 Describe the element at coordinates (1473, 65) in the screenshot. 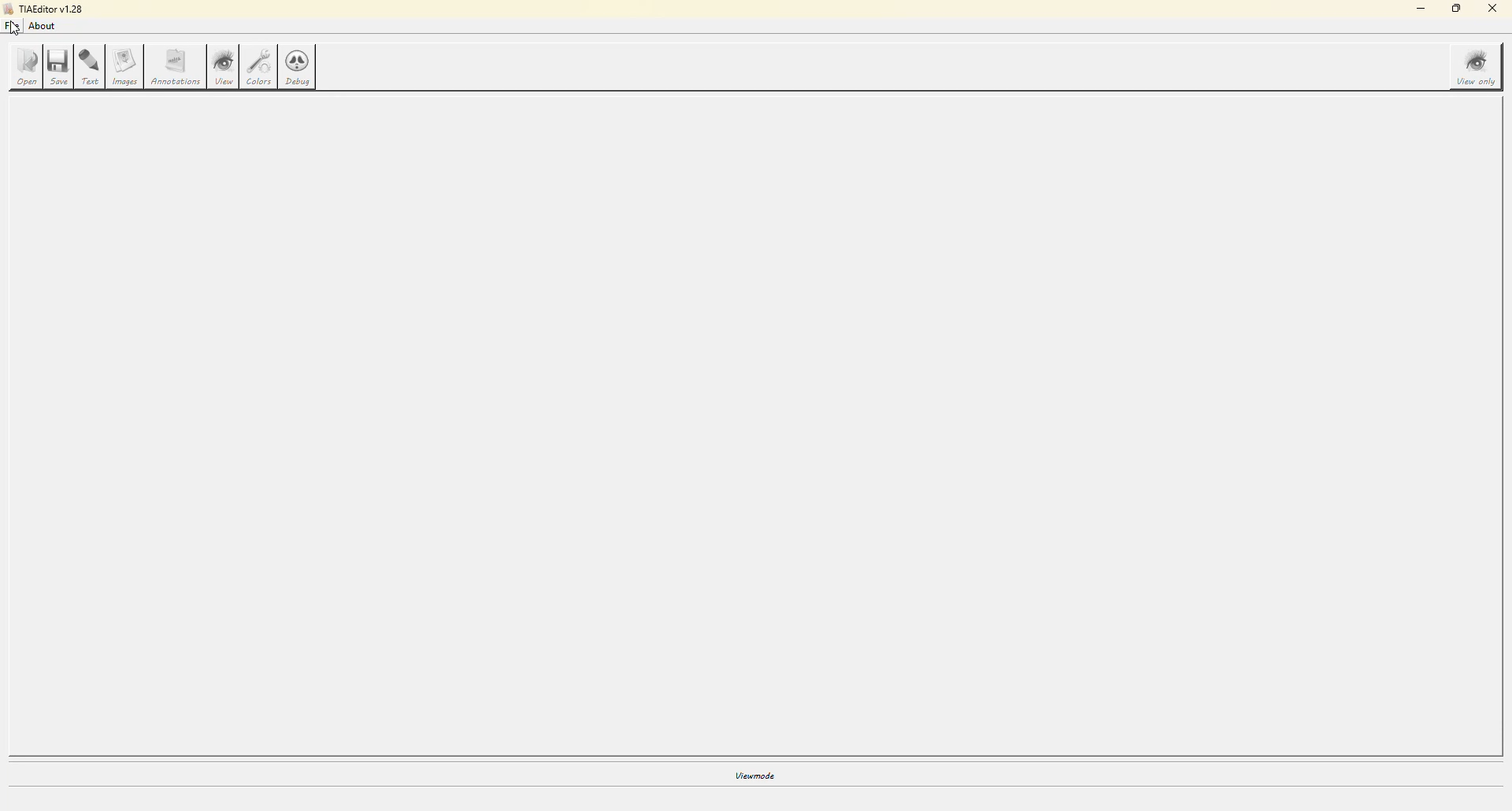

I see `view only` at that location.